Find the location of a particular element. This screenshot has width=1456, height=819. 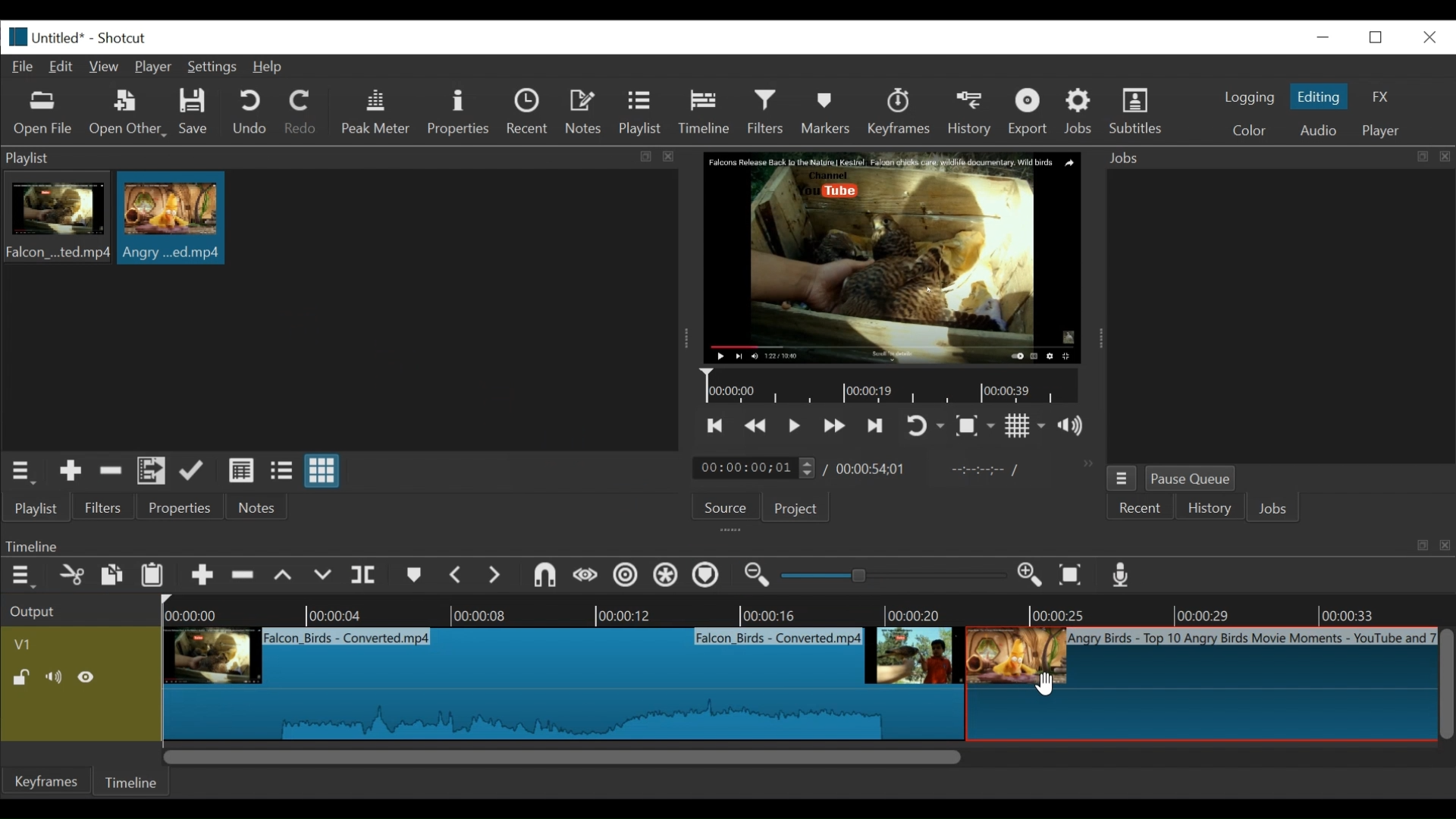

minimize is located at coordinates (1323, 36).